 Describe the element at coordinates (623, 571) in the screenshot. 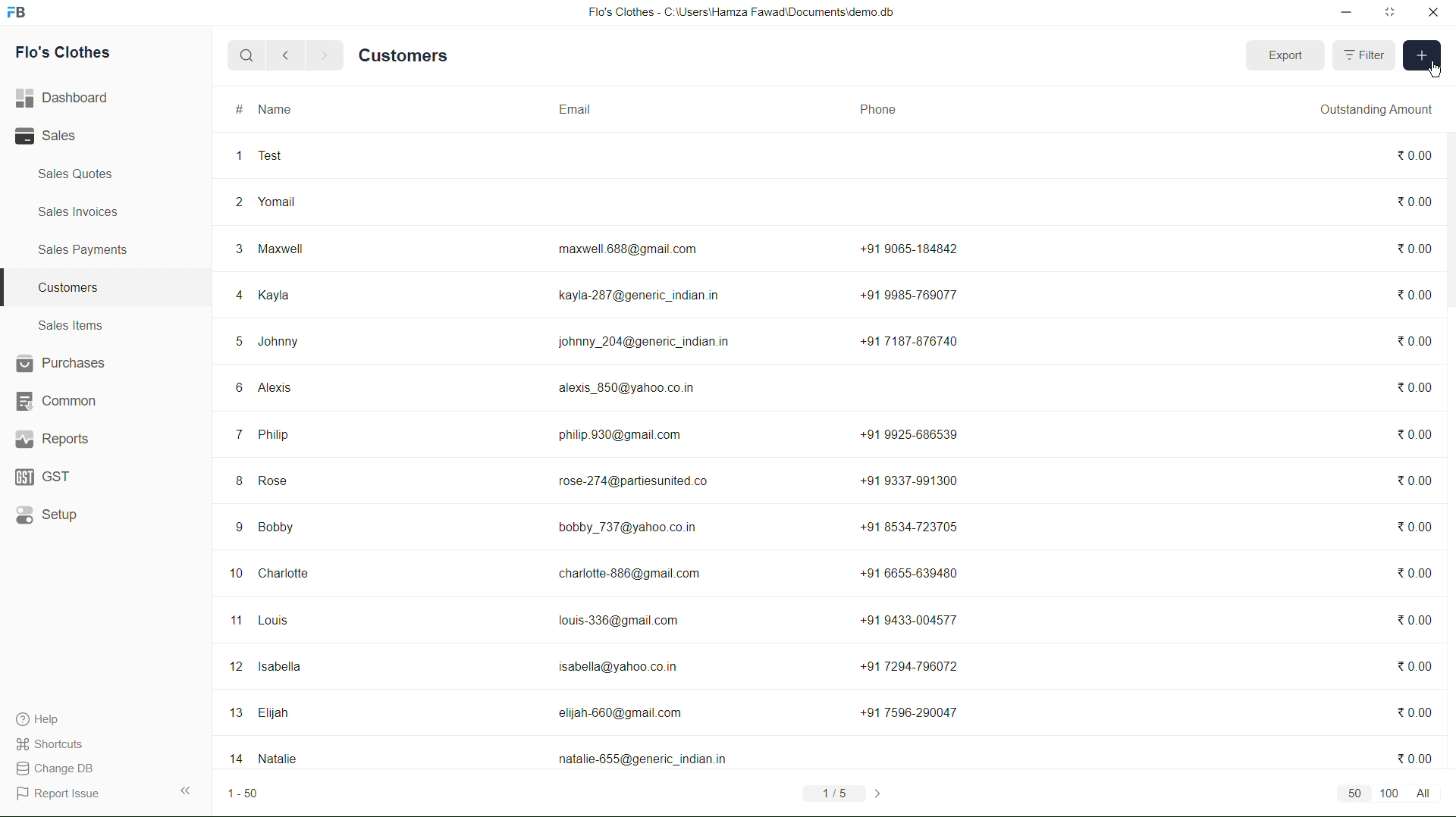

I see `charlotte-886@gmail. com` at that location.